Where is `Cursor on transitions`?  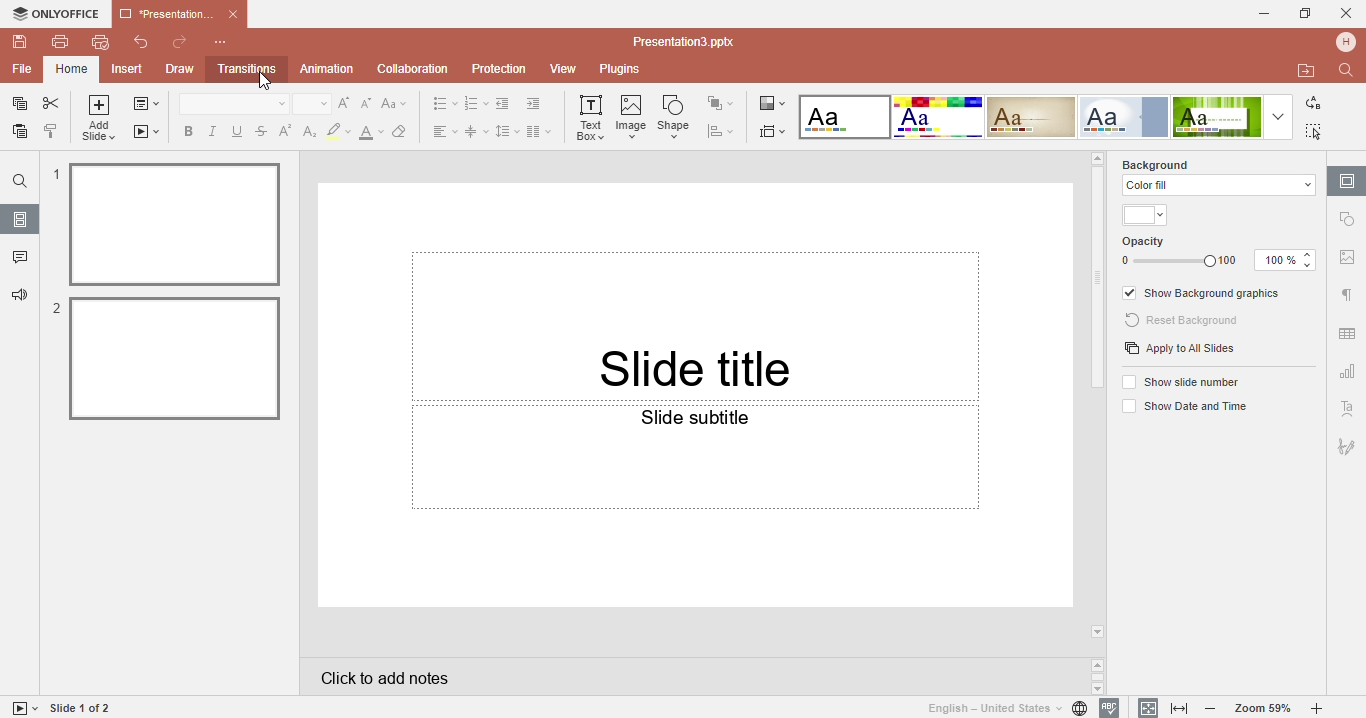
Cursor on transitions is located at coordinates (273, 84).